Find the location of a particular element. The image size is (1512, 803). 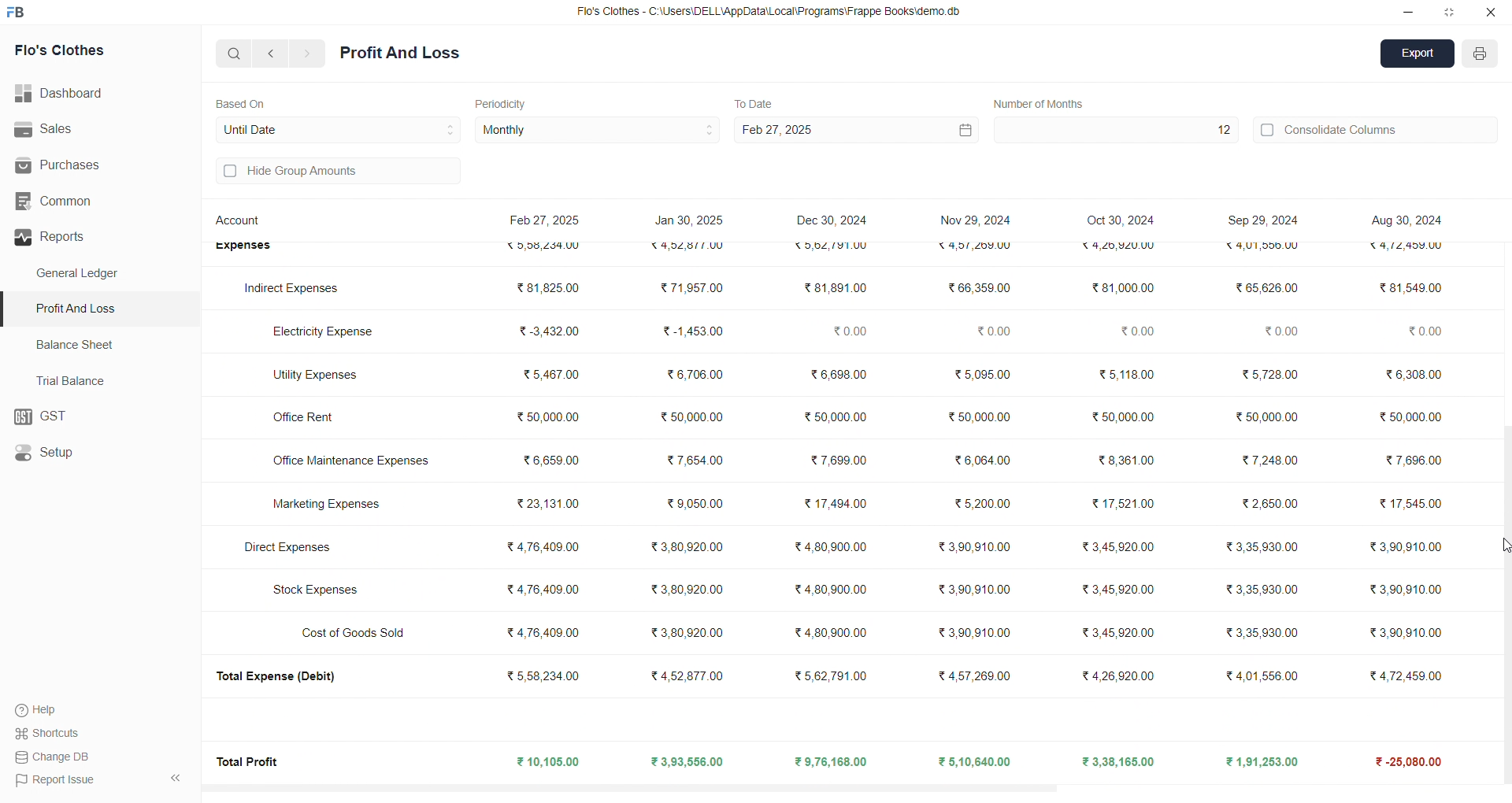

₹-1,453.00 is located at coordinates (692, 331).